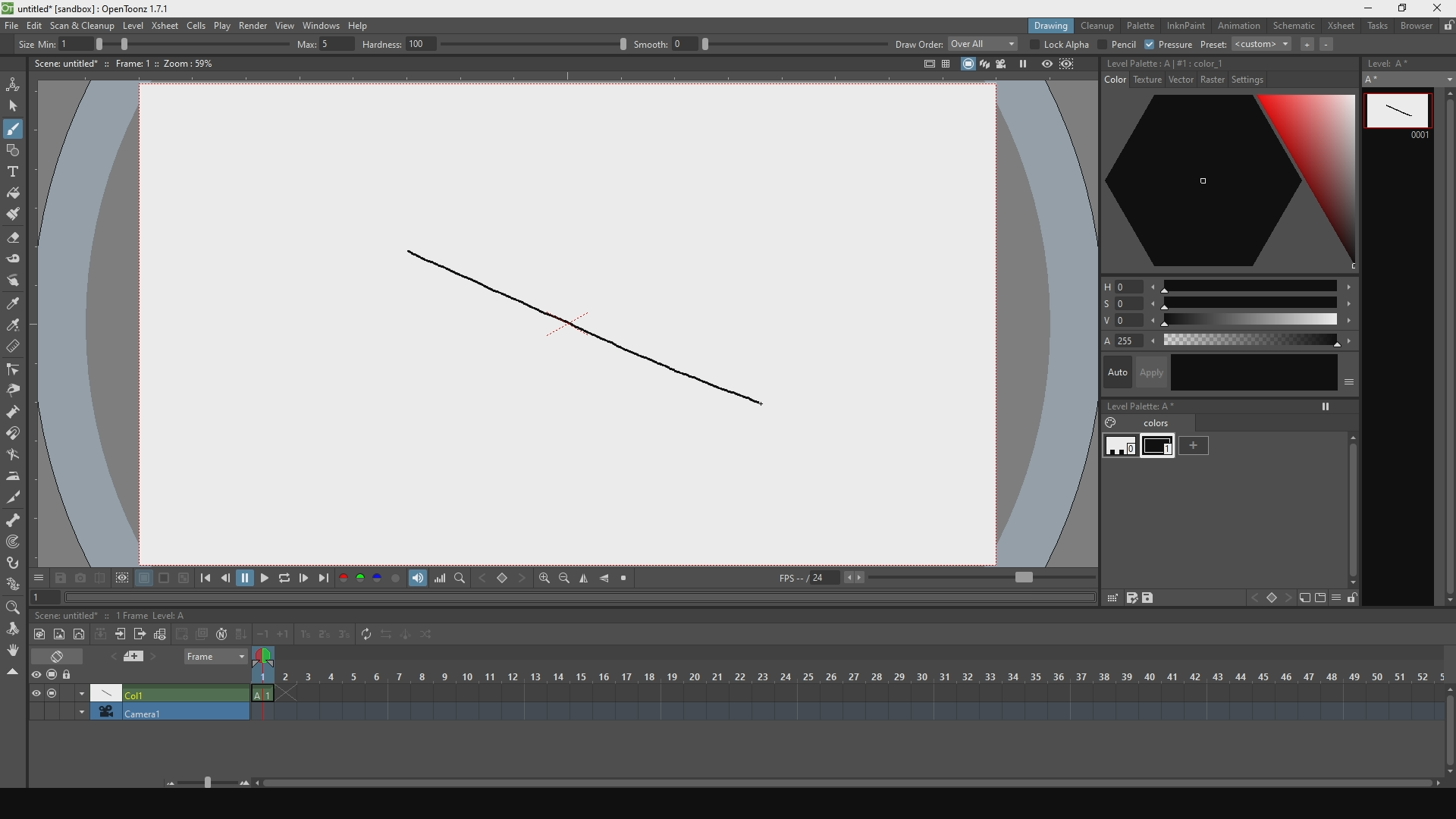 The image size is (1456, 819). I want to click on inflate, so click(14, 411).